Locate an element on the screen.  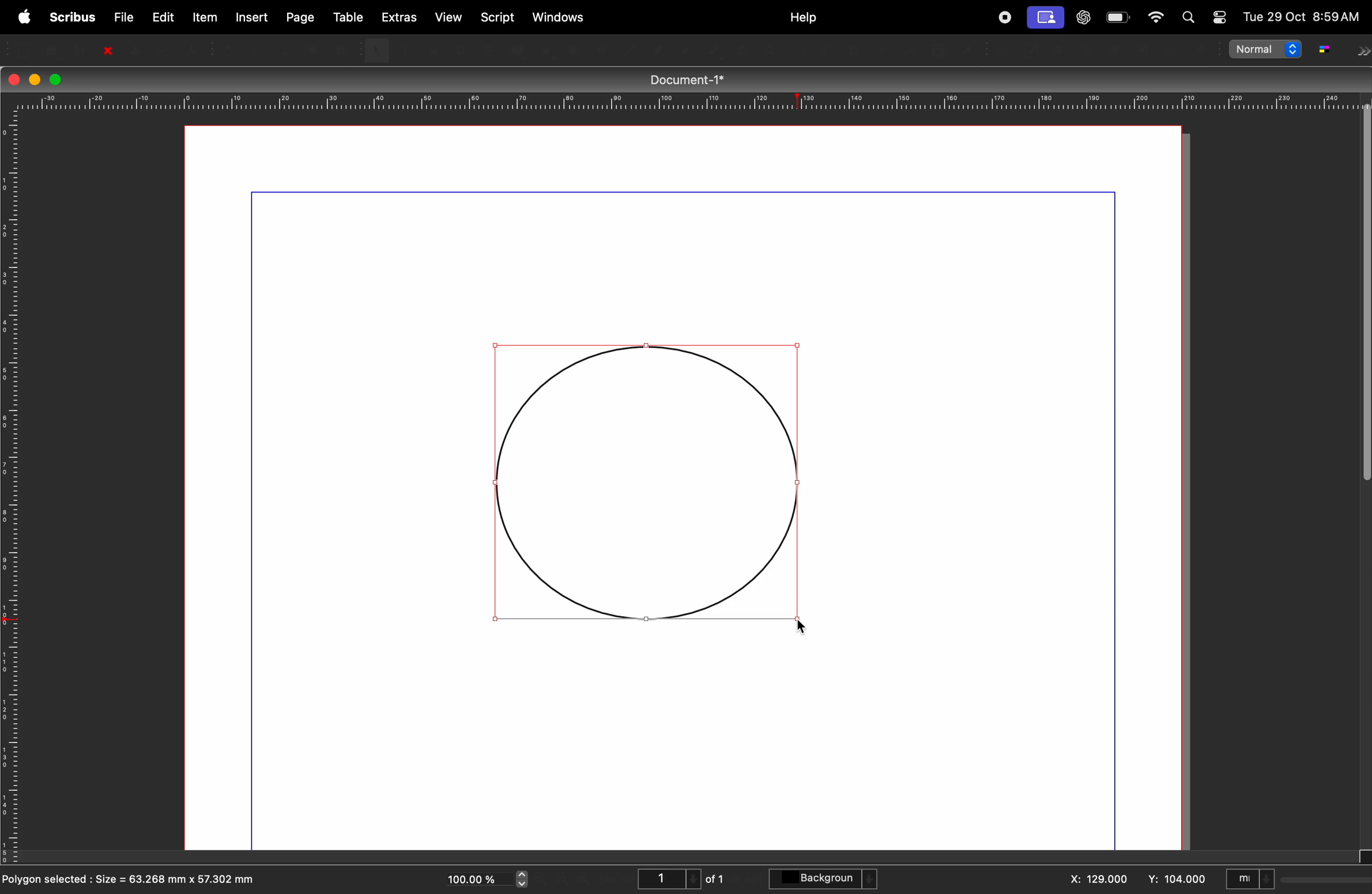
view is located at coordinates (451, 18).